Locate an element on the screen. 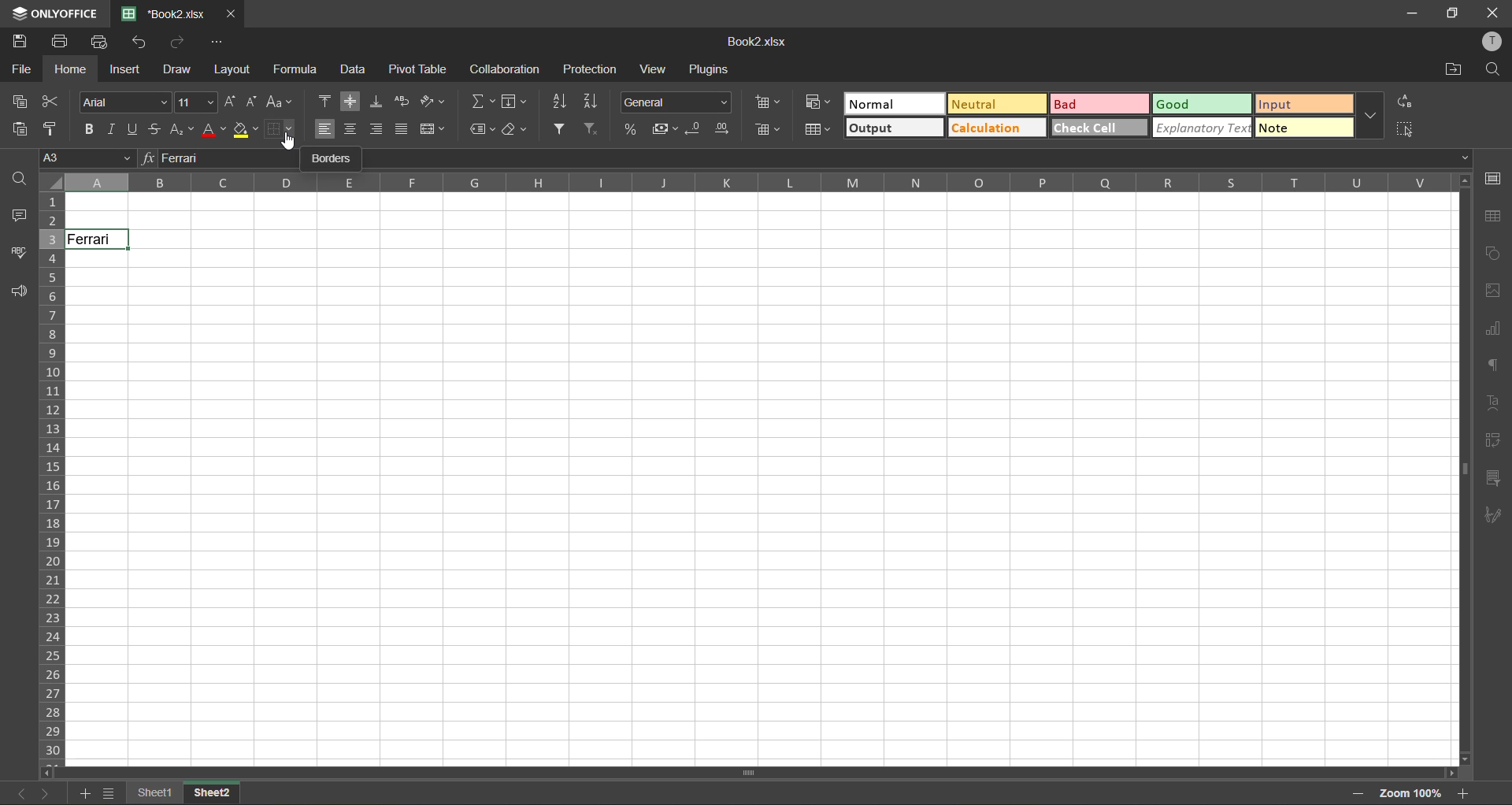  copy is located at coordinates (21, 101).